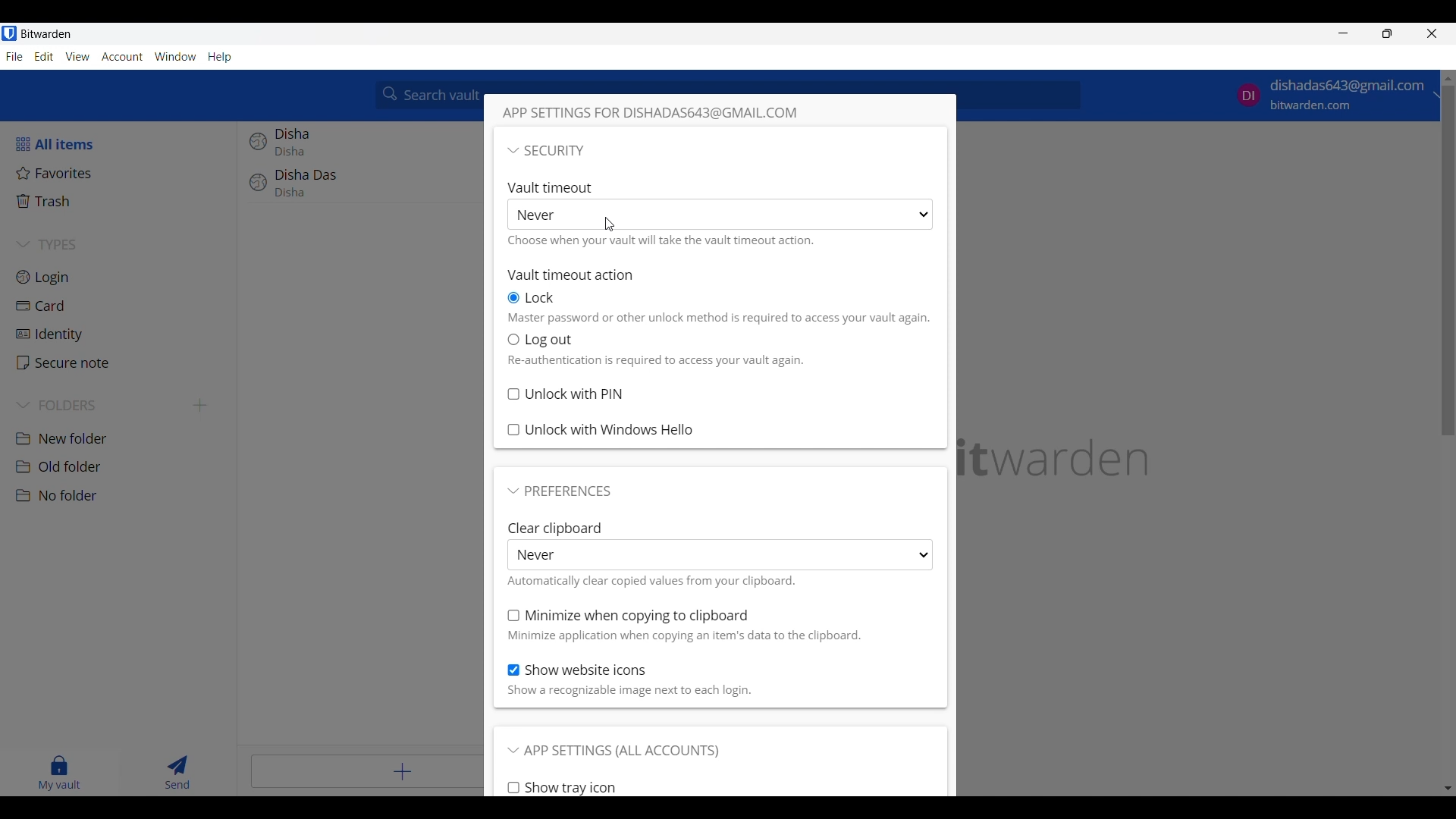  What do you see at coordinates (560, 491) in the screenshot?
I see `Collapse Preferences section` at bounding box center [560, 491].